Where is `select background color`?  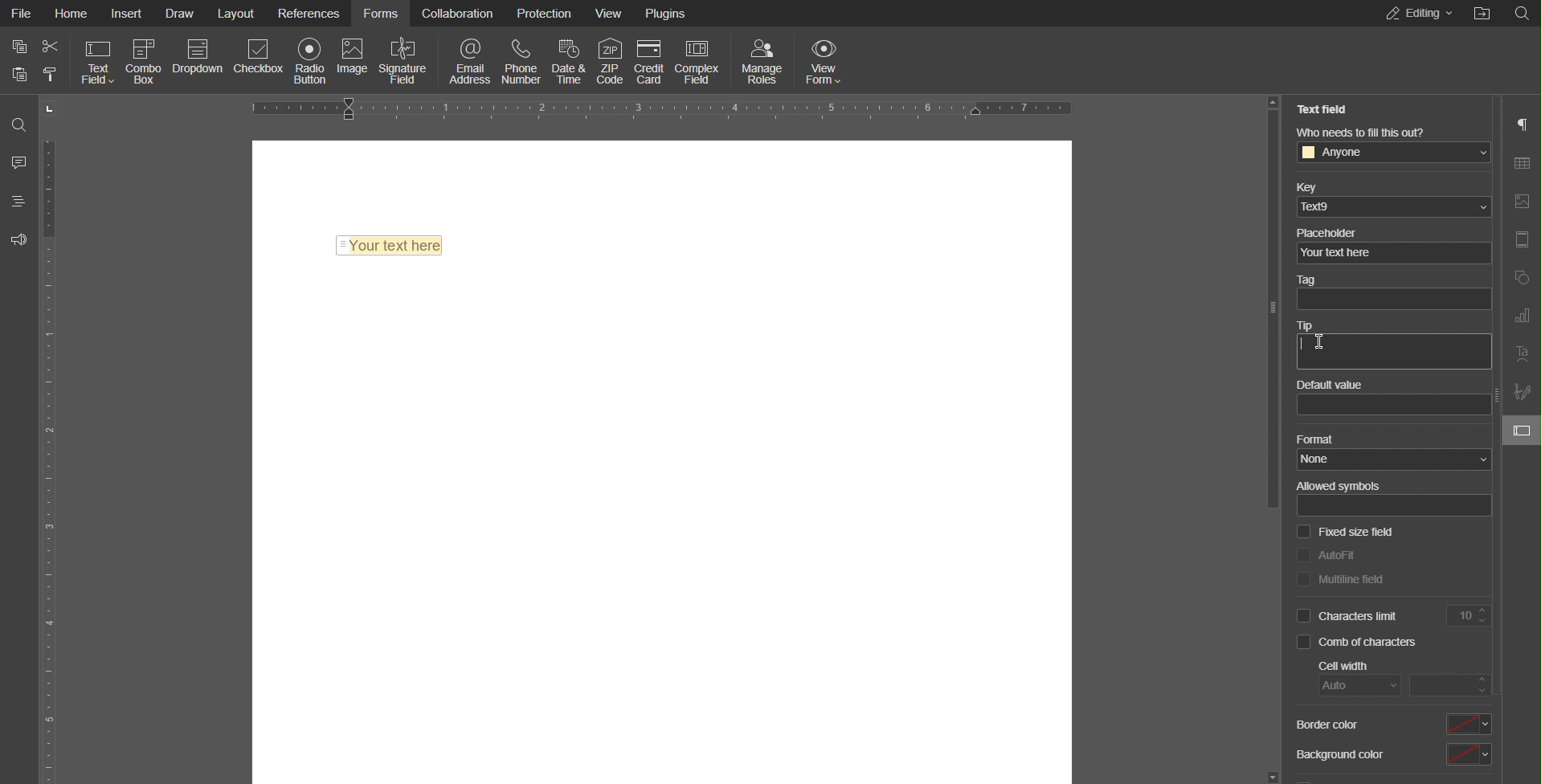
select background color is located at coordinates (1470, 753).